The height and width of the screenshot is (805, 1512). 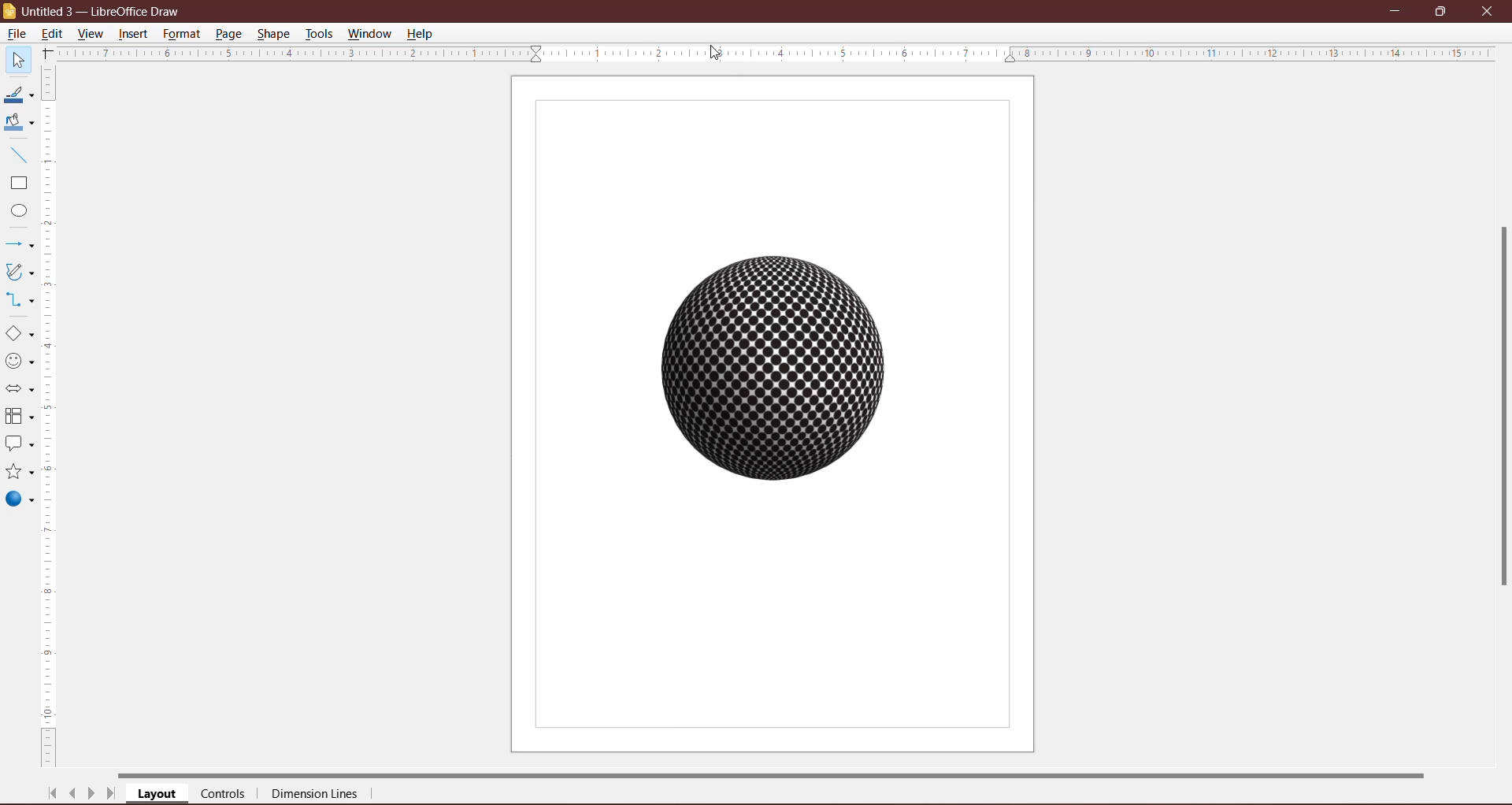 What do you see at coordinates (91, 796) in the screenshot?
I see `Scroll to next page` at bounding box center [91, 796].